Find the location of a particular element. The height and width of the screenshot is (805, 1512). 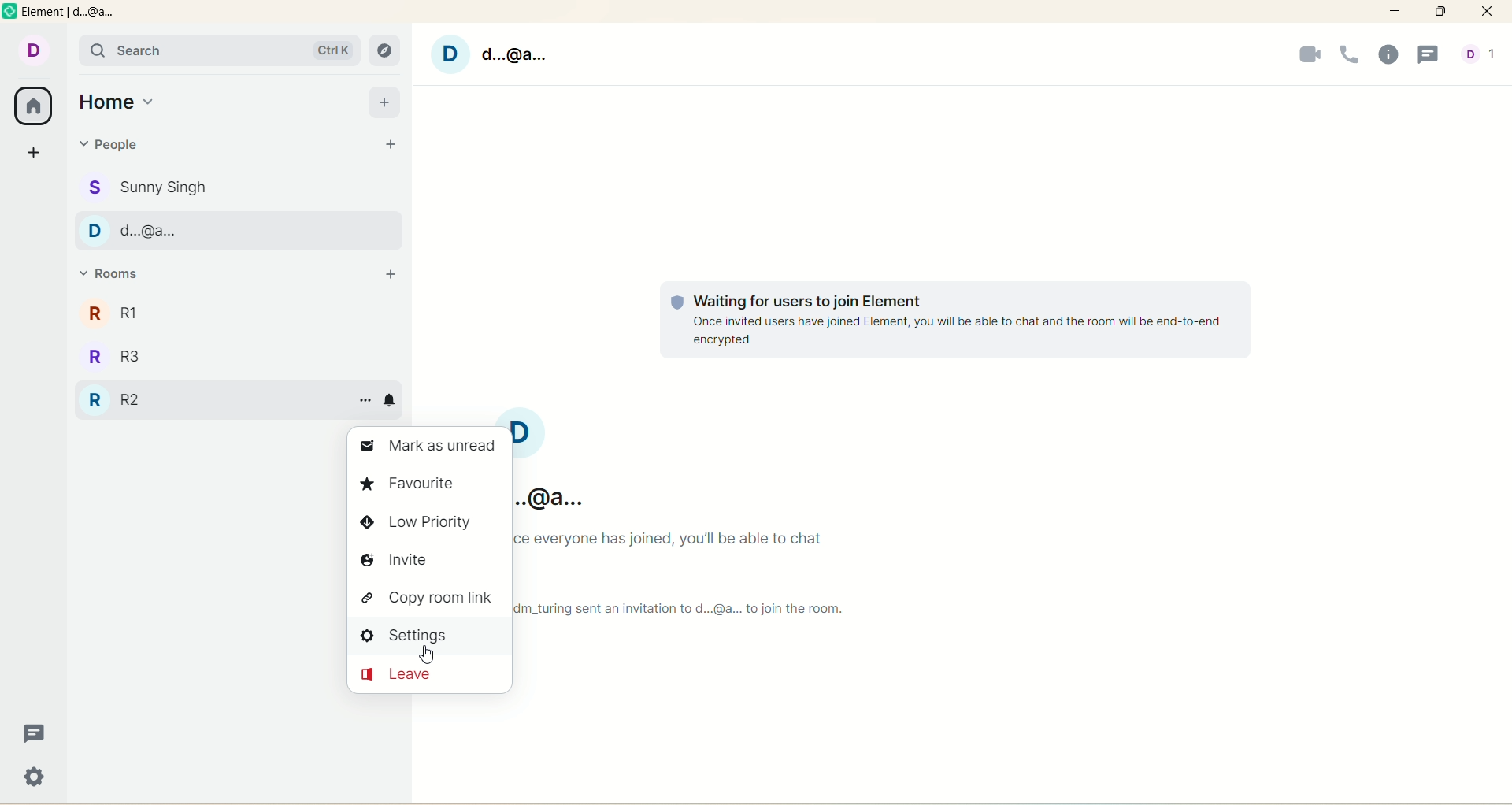

account is located at coordinates (32, 48).